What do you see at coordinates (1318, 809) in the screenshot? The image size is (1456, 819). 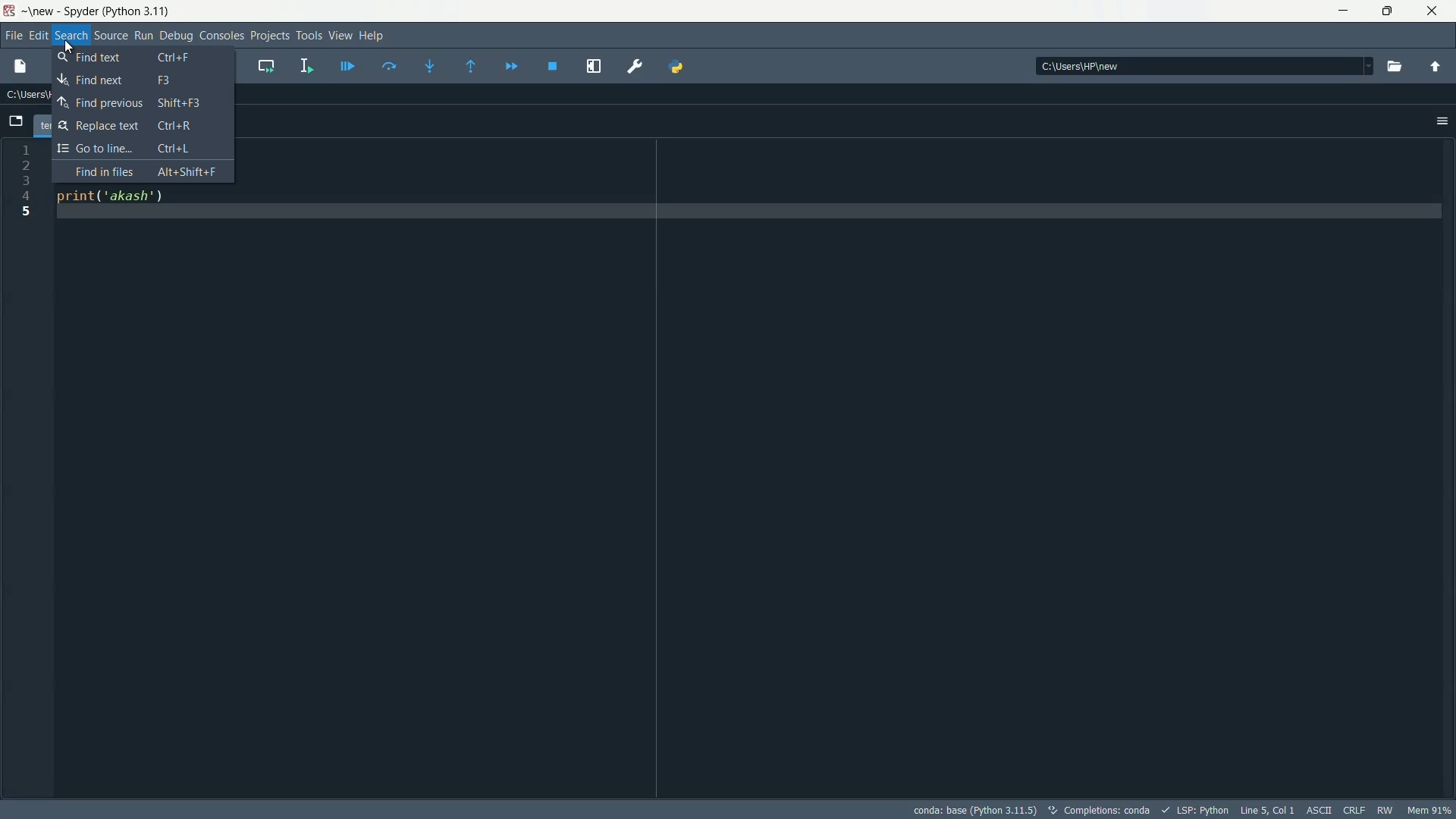 I see `ASCII` at bounding box center [1318, 809].